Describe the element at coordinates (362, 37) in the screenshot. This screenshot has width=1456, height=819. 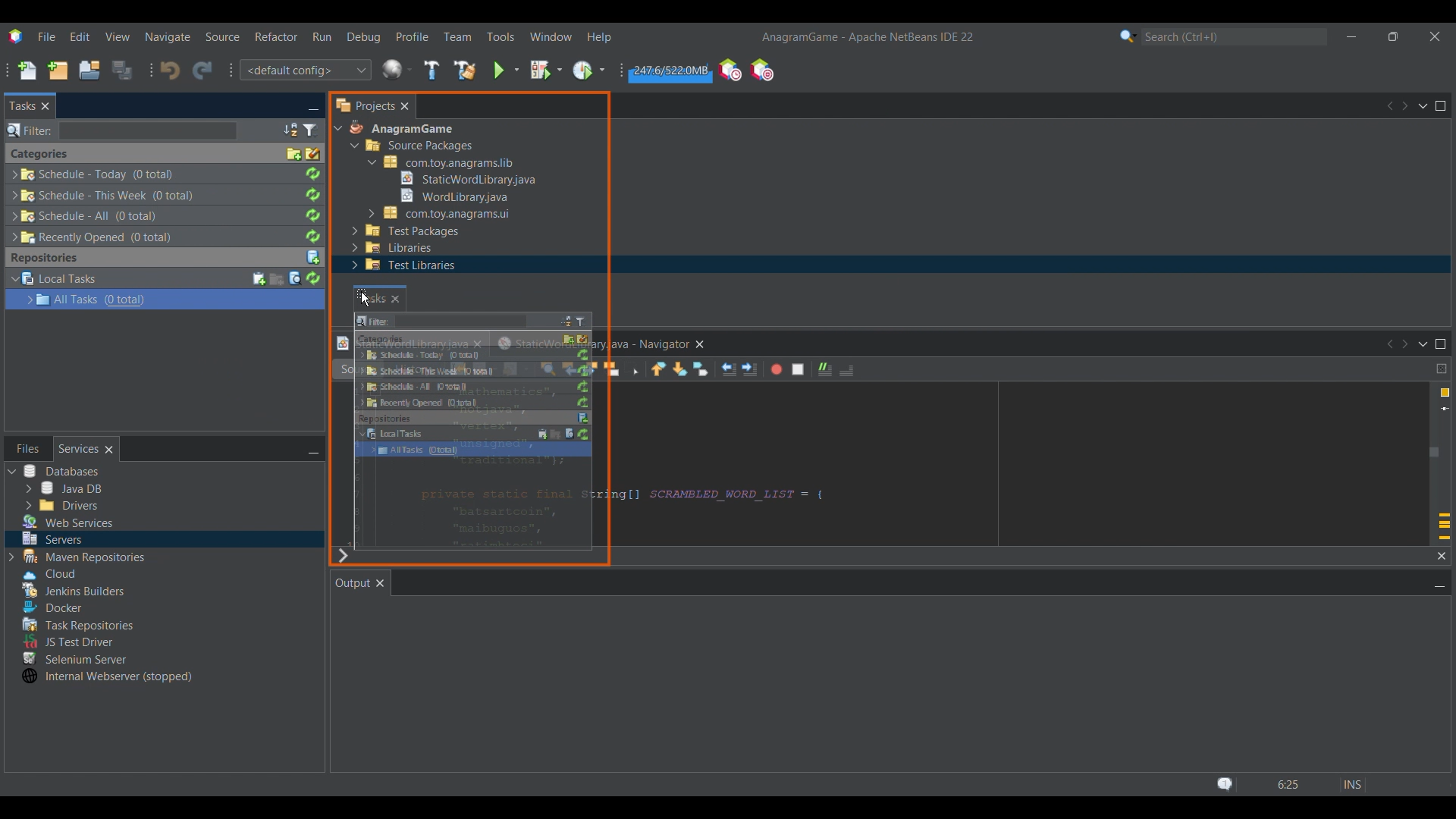
I see `Debug menu` at that location.